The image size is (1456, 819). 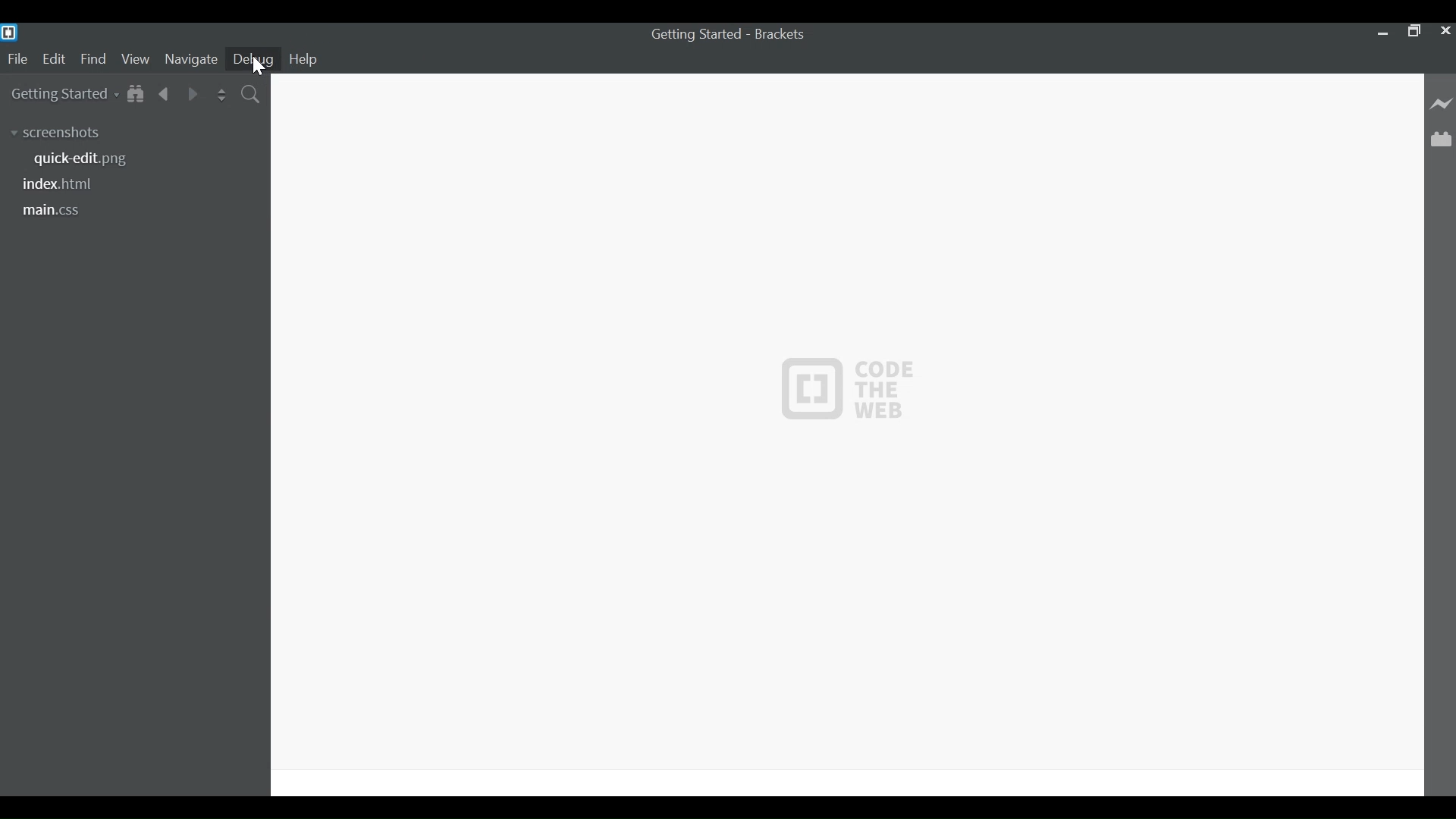 I want to click on screenshots, so click(x=55, y=131).